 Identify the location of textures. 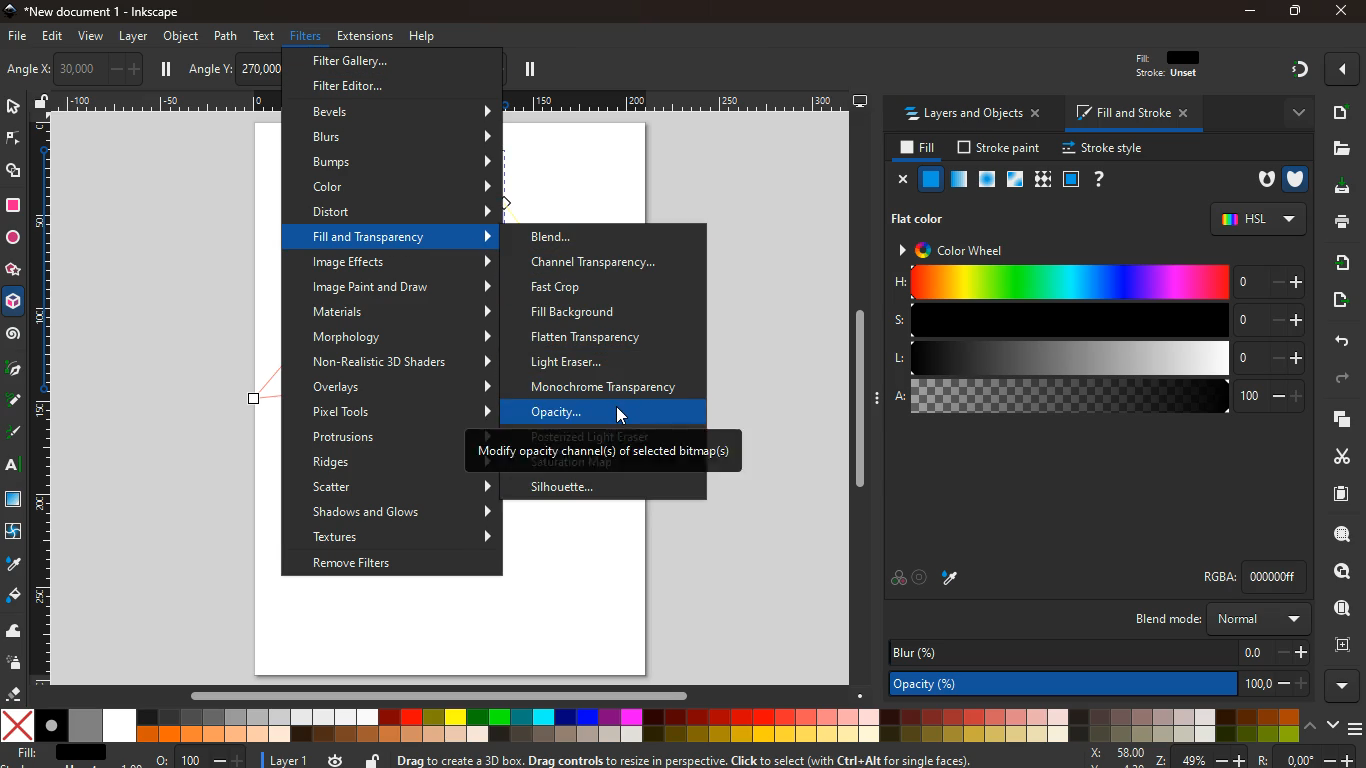
(404, 537).